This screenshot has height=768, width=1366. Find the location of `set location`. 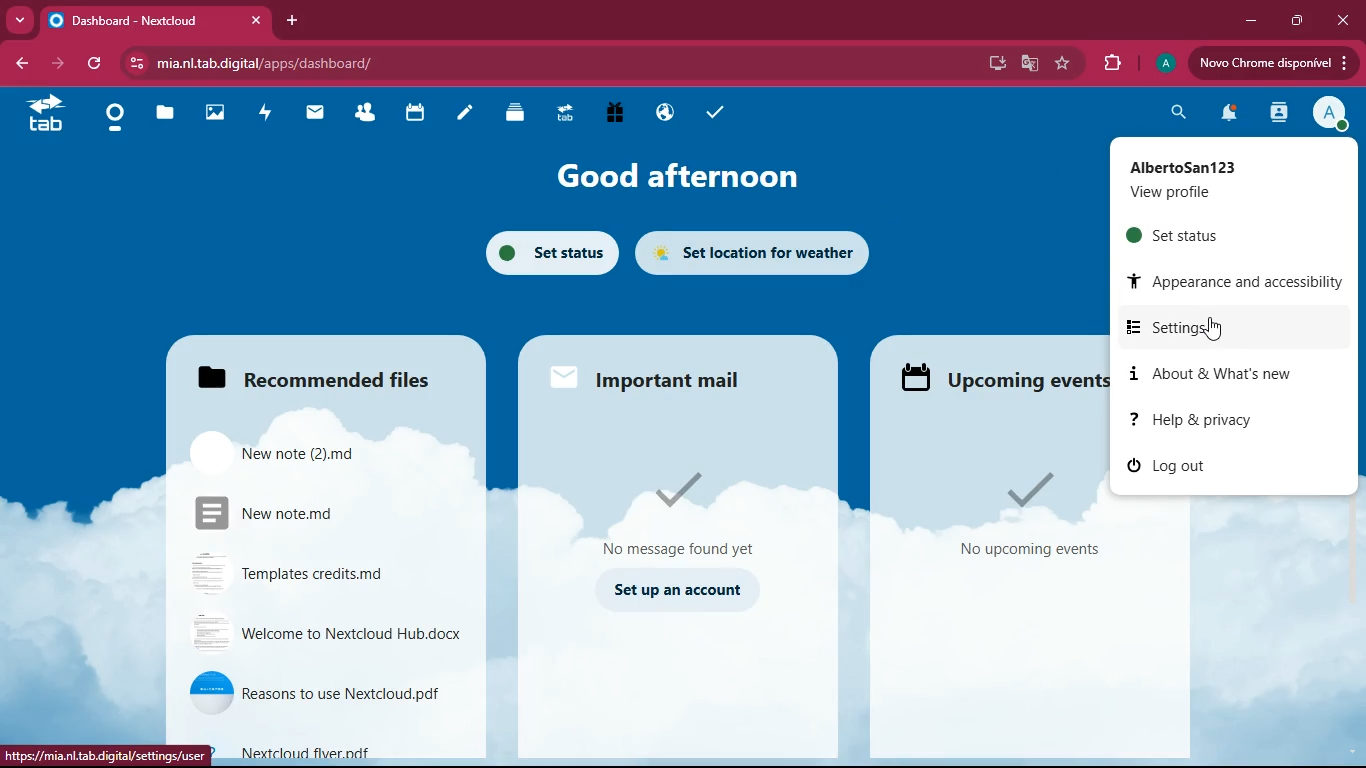

set location is located at coordinates (760, 256).